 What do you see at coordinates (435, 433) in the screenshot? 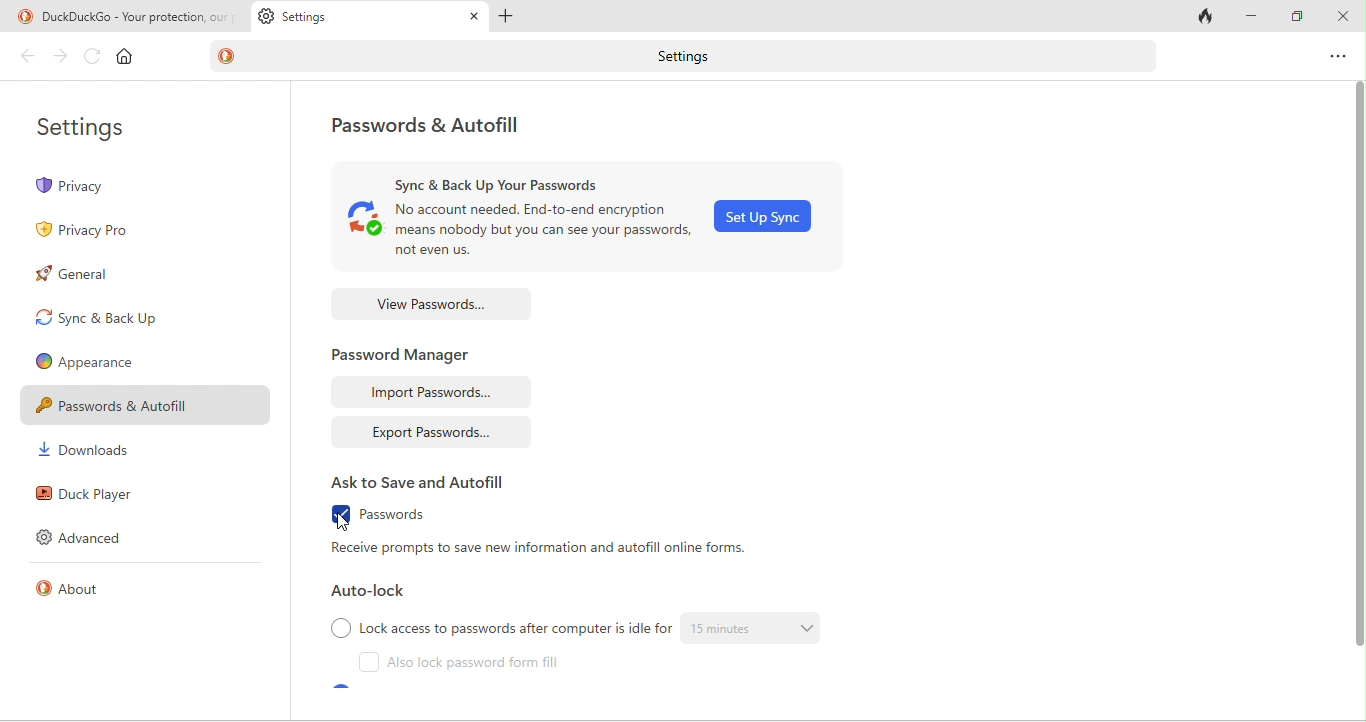
I see `export passwords` at bounding box center [435, 433].